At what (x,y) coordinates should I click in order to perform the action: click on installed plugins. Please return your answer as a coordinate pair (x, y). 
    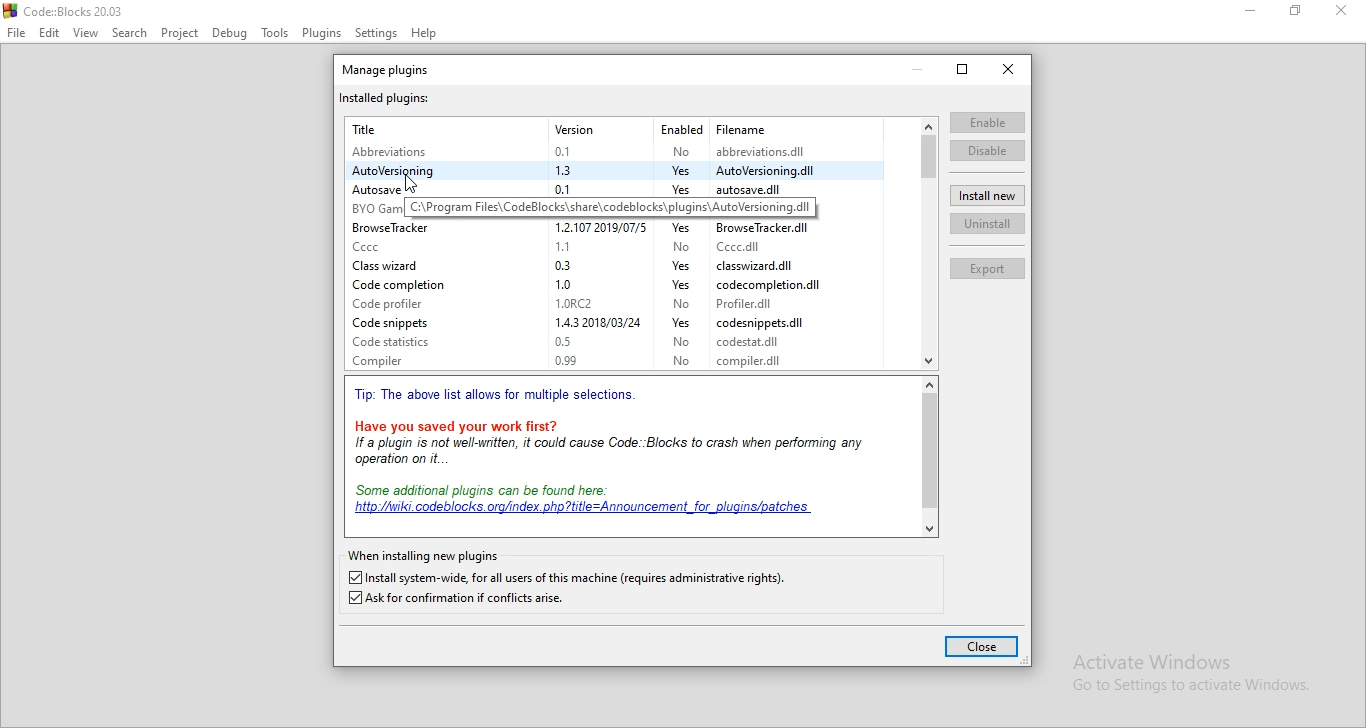
    Looking at the image, I should click on (386, 98).